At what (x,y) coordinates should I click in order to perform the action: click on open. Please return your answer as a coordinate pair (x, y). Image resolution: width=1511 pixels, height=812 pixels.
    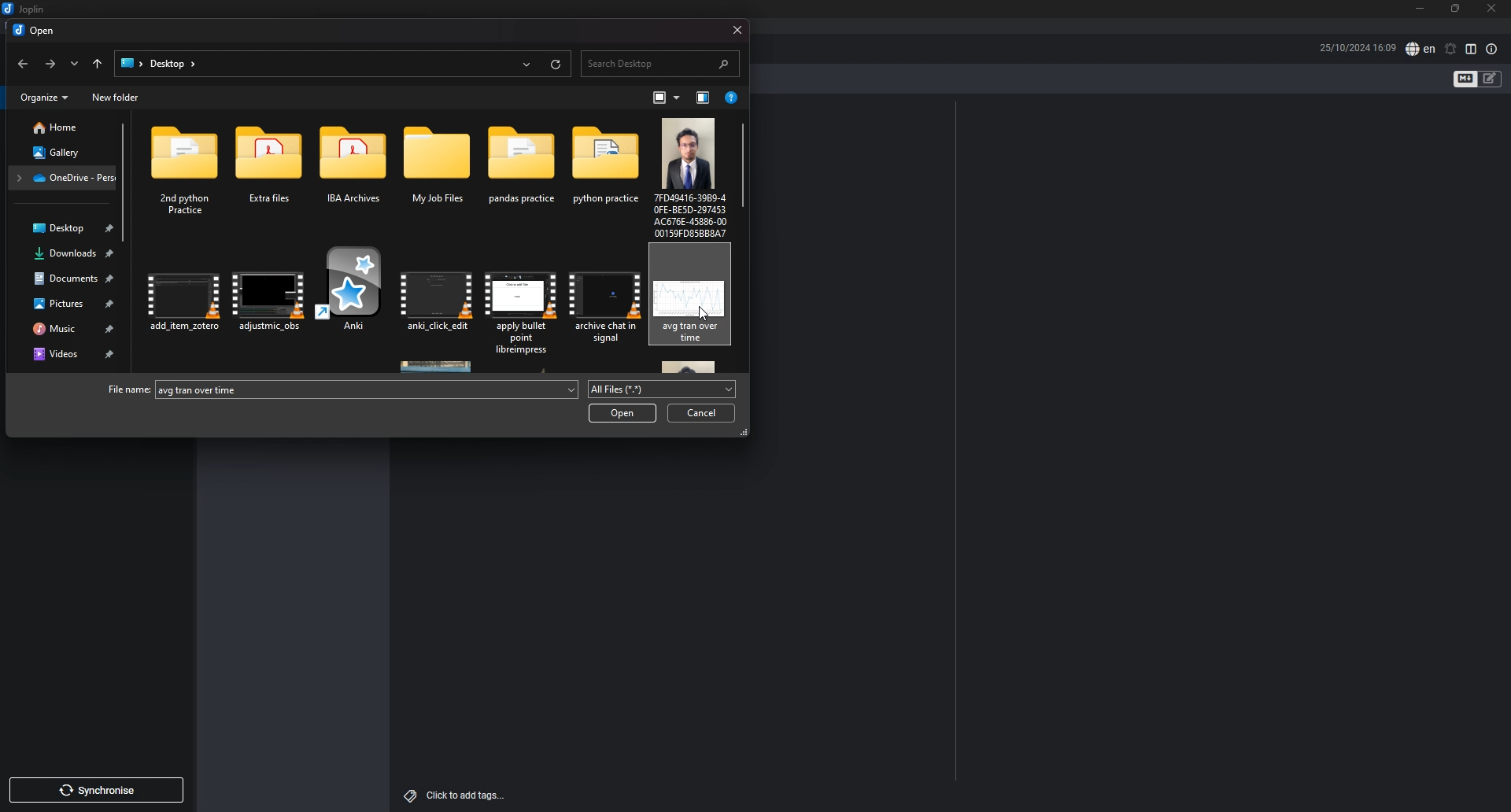
    Looking at the image, I should click on (623, 413).